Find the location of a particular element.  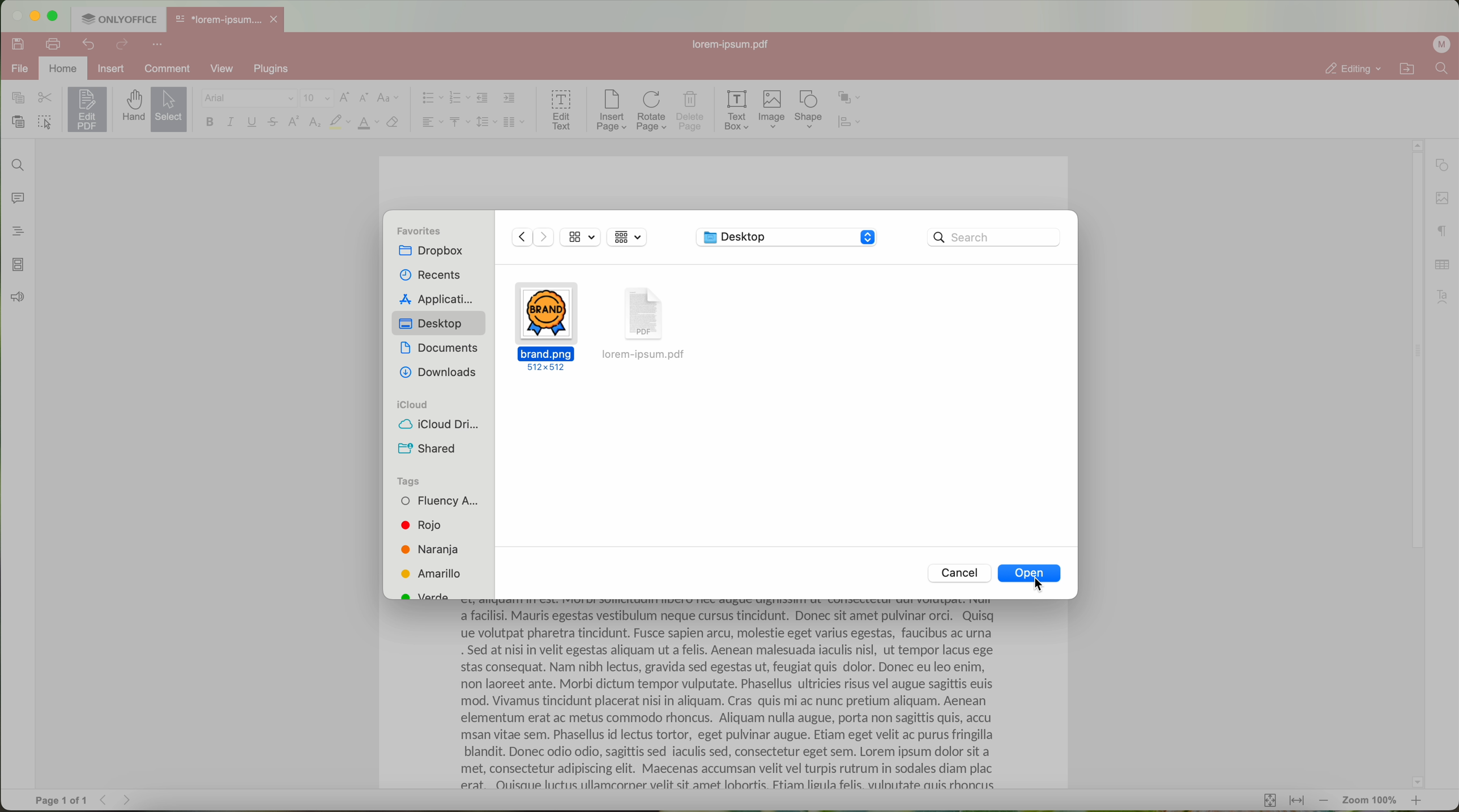

italic is located at coordinates (231, 122).